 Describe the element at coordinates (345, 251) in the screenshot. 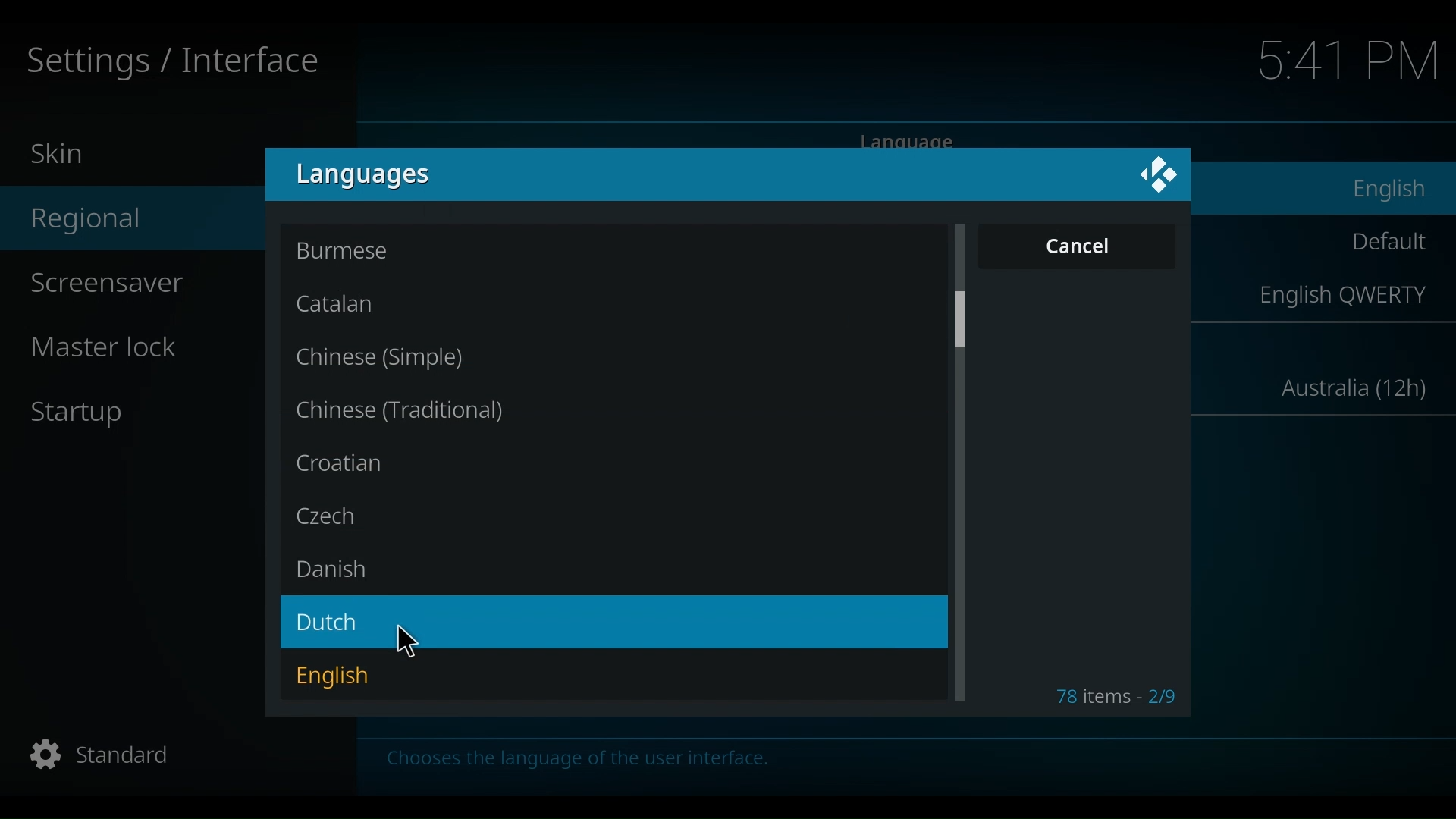

I see `Burmese` at that location.